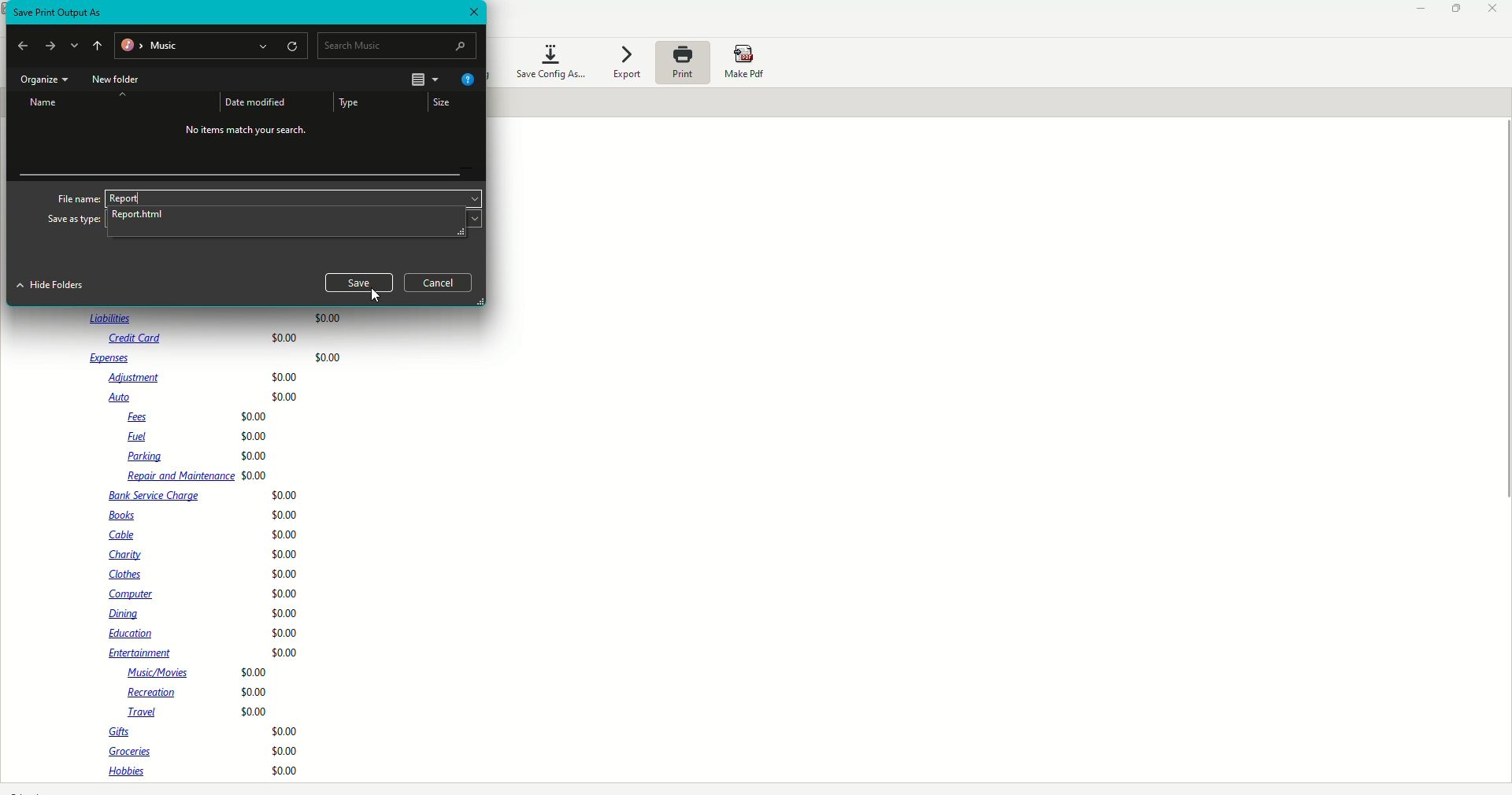  What do you see at coordinates (466, 80) in the screenshot?
I see `Help` at bounding box center [466, 80].